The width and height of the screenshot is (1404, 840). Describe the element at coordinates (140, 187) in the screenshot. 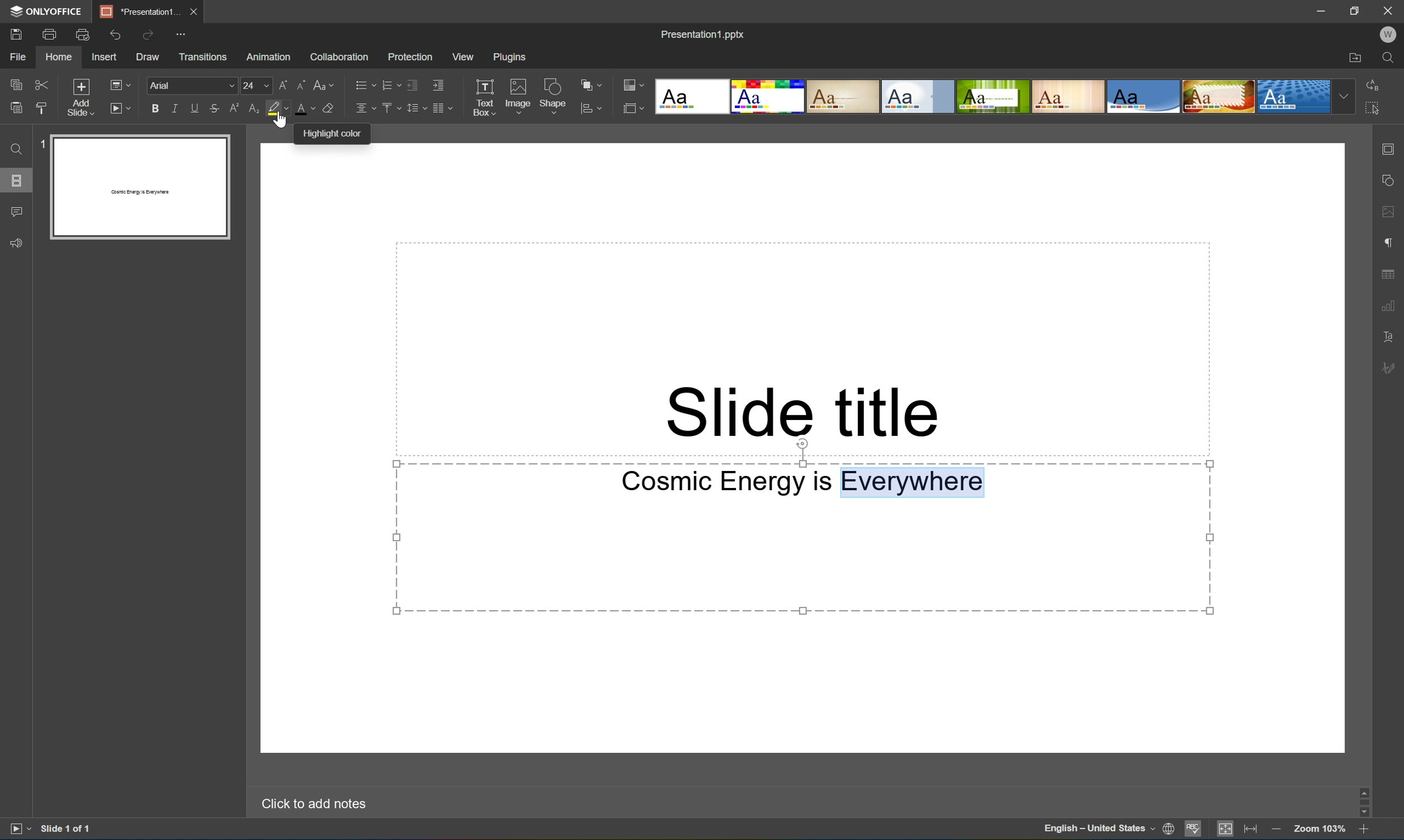

I see `Slide` at that location.